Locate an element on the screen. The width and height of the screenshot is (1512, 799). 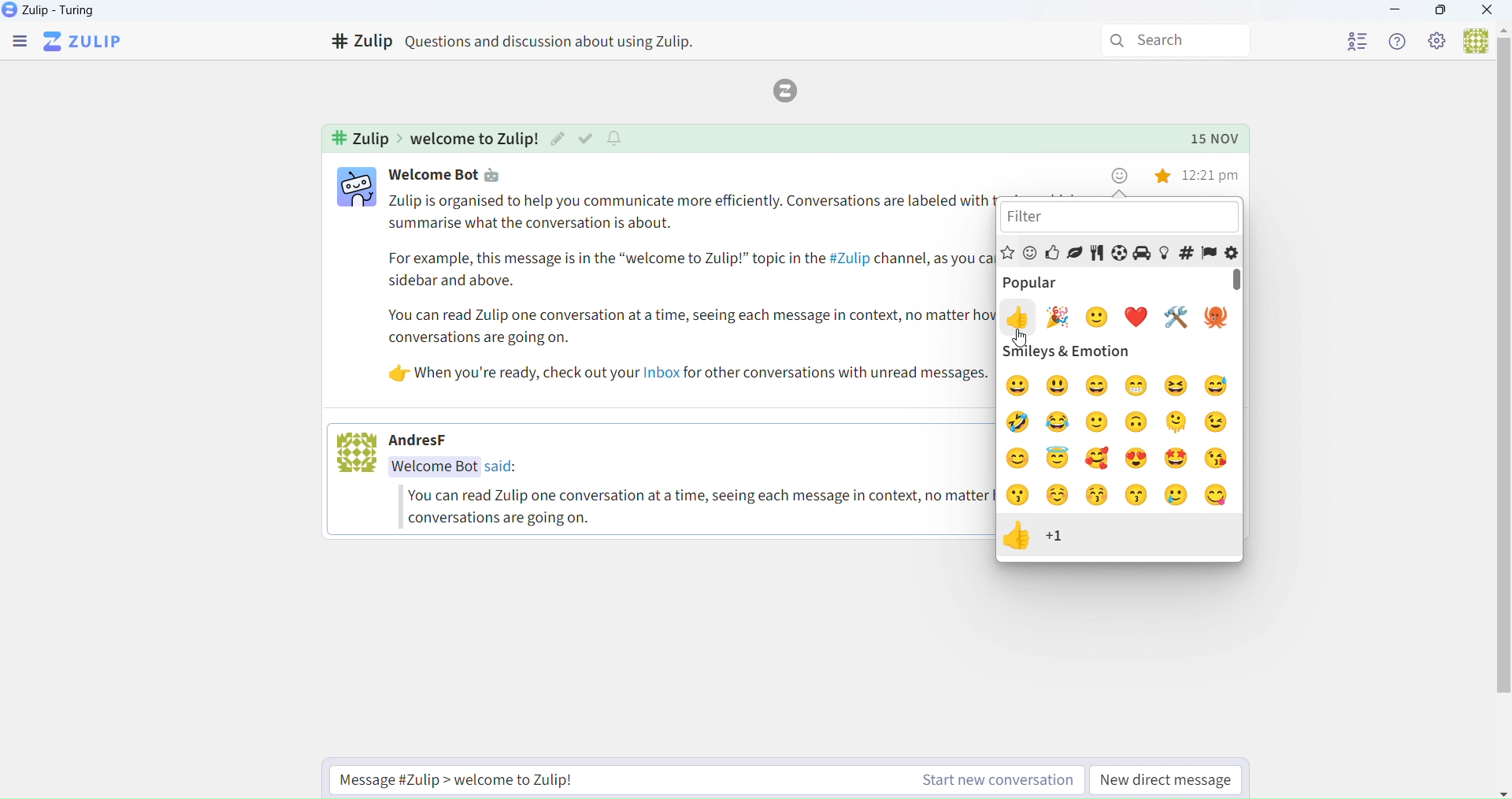
big laugh with tears is located at coordinates (1020, 420).